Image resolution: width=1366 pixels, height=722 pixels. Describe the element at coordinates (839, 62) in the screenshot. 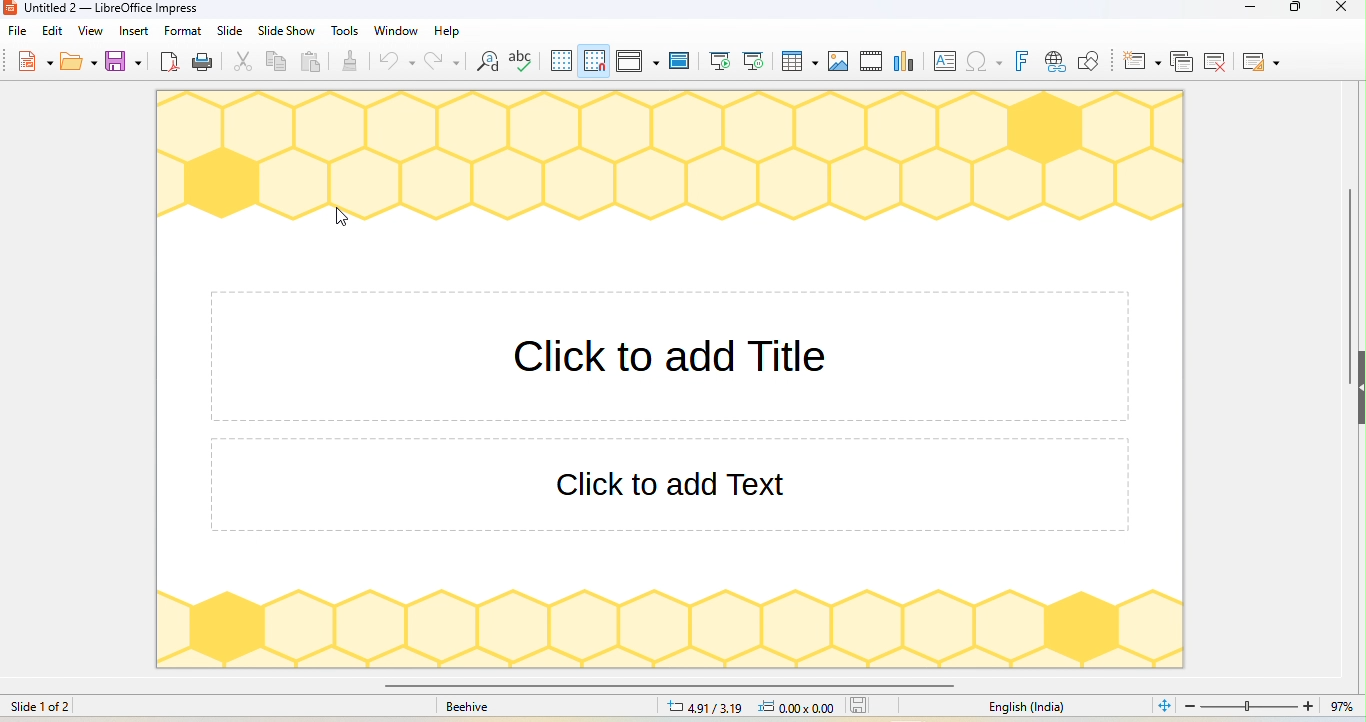

I see `insert image` at that location.